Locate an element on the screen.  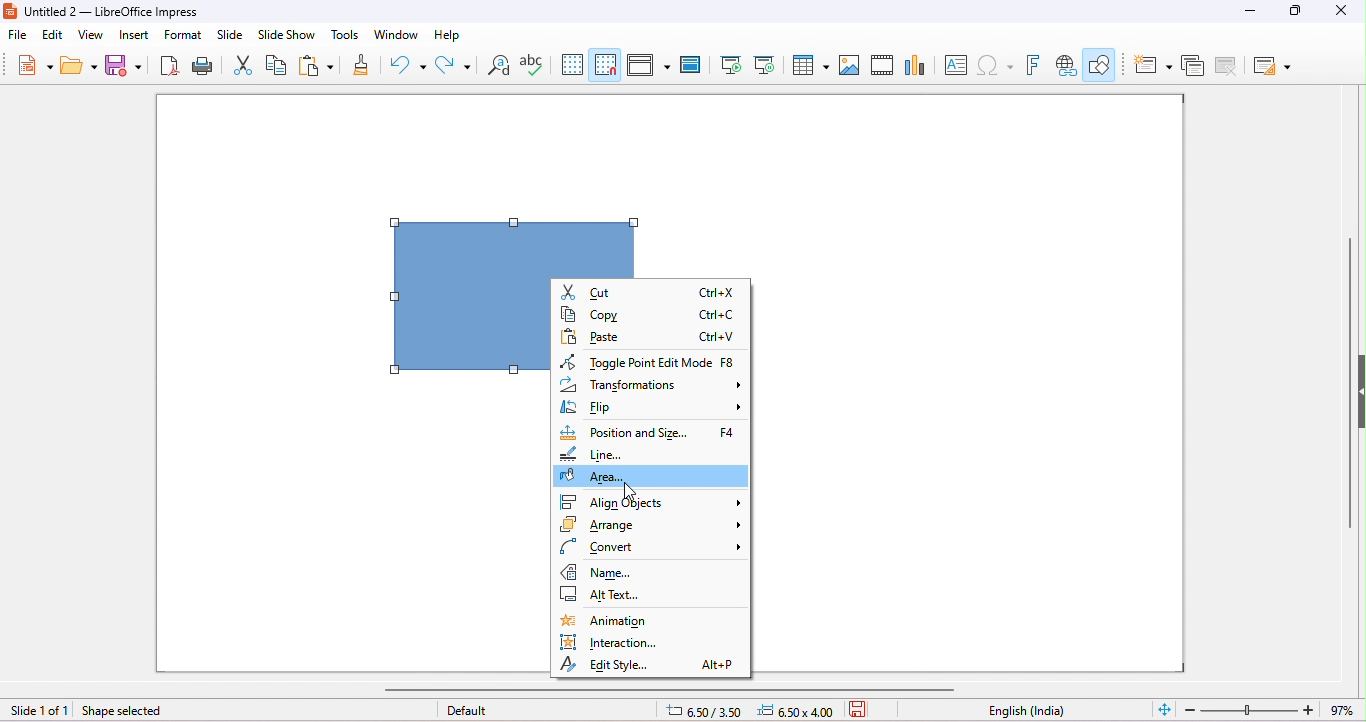
close is located at coordinates (1339, 11).